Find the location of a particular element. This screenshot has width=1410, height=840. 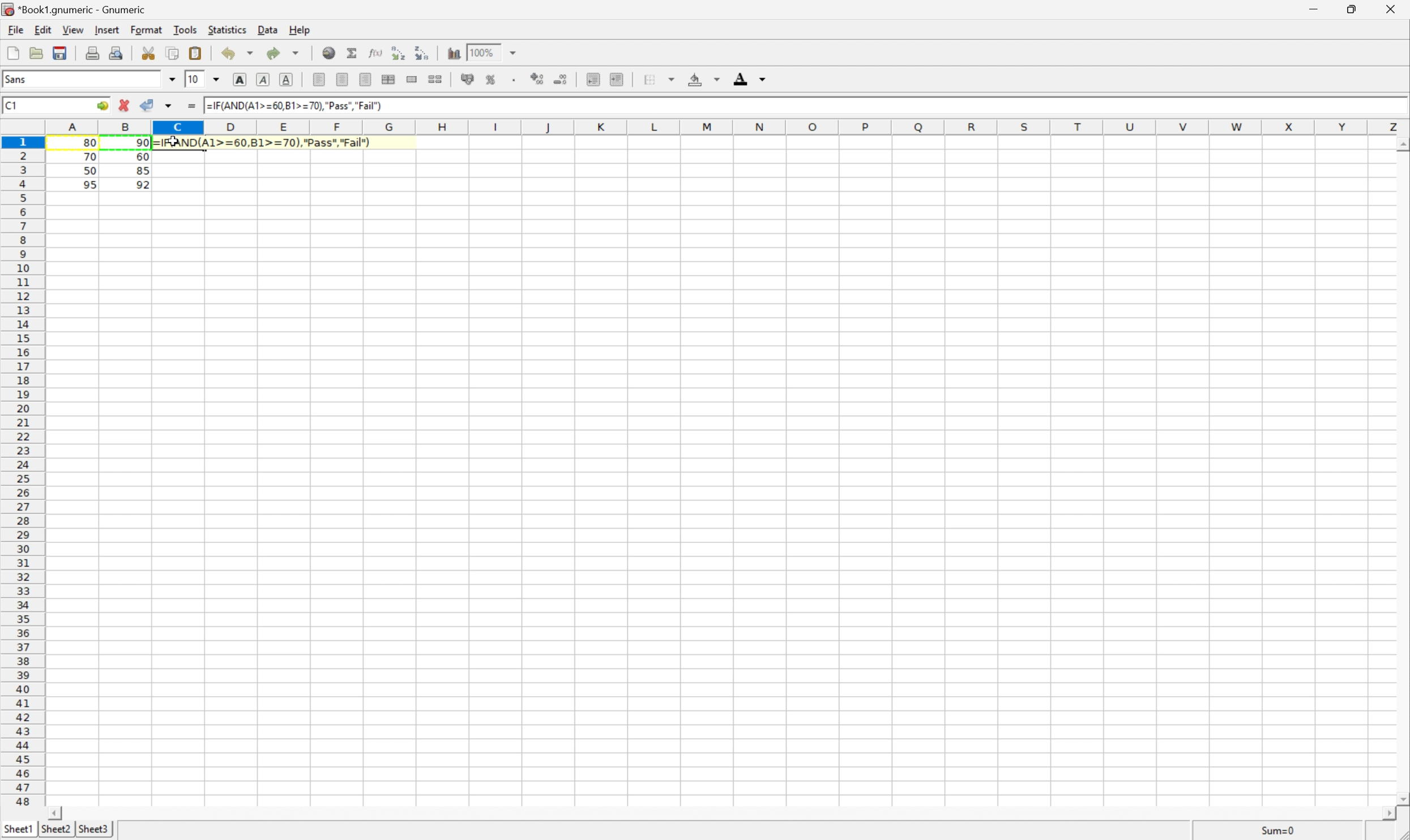

Merge ranges of cells is located at coordinates (413, 79).